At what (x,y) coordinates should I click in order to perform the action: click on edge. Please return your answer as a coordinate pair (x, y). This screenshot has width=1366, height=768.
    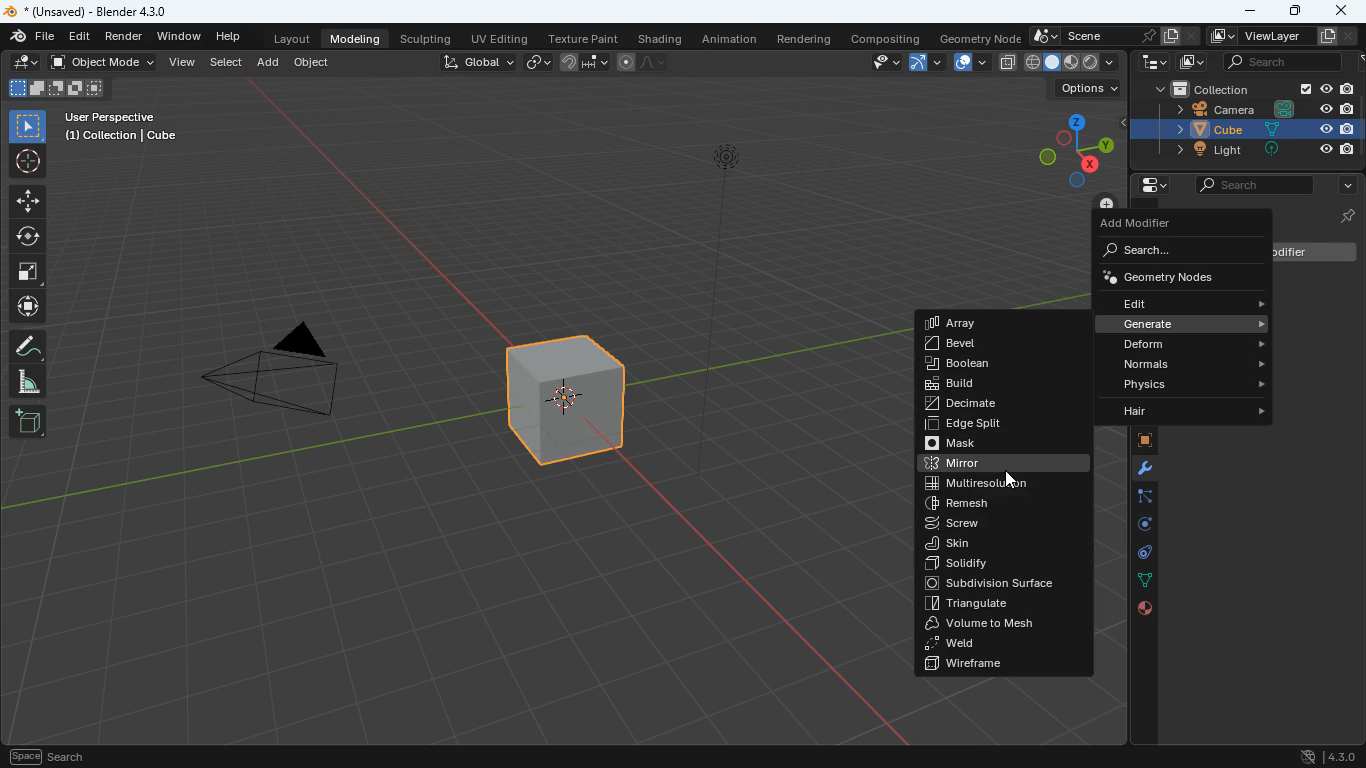
    Looking at the image, I should click on (1137, 499).